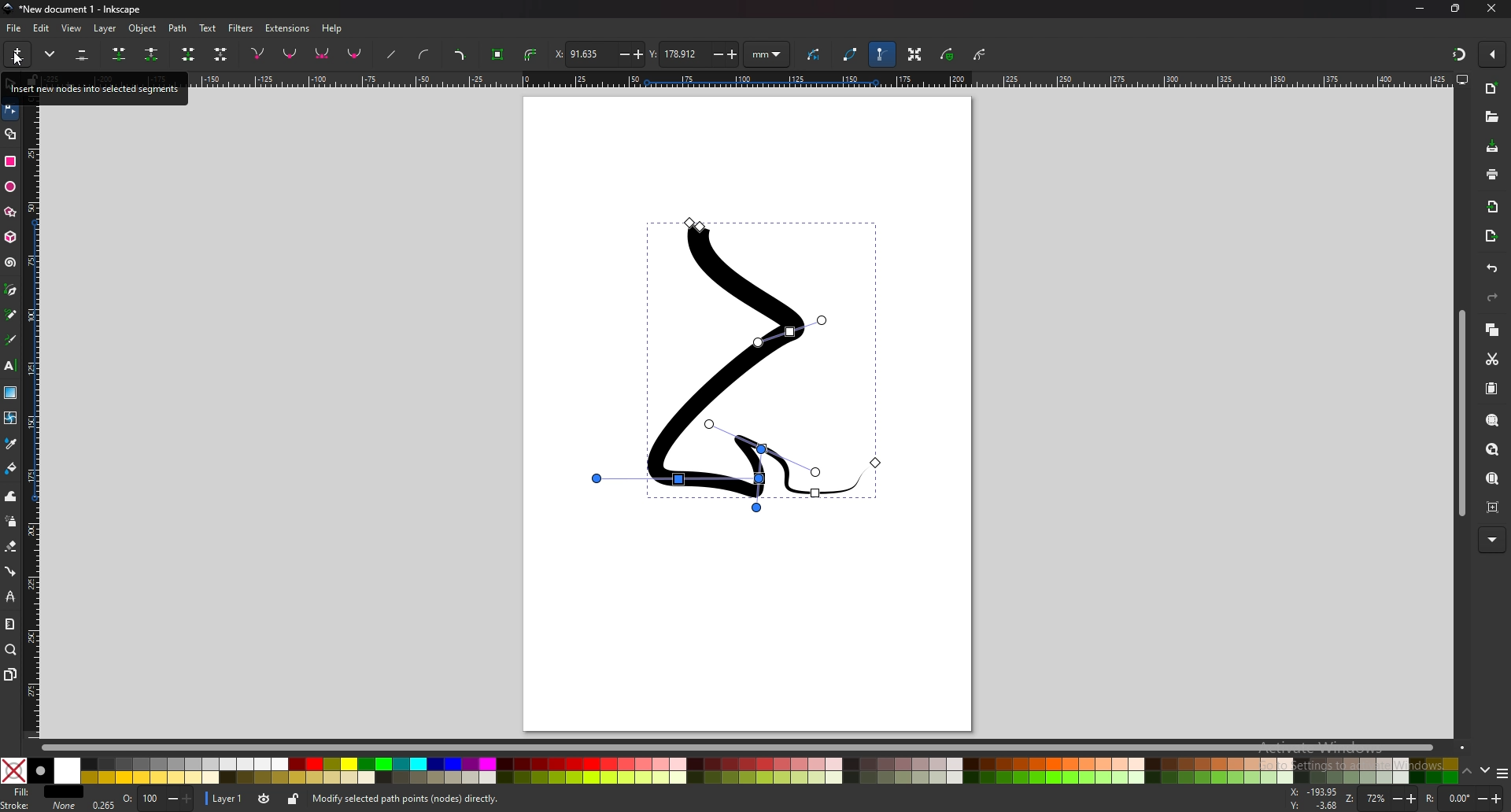 The width and height of the screenshot is (1511, 812). What do you see at coordinates (12, 651) in the screenshot?
I see `zoom` at bounding box center [12, 651].